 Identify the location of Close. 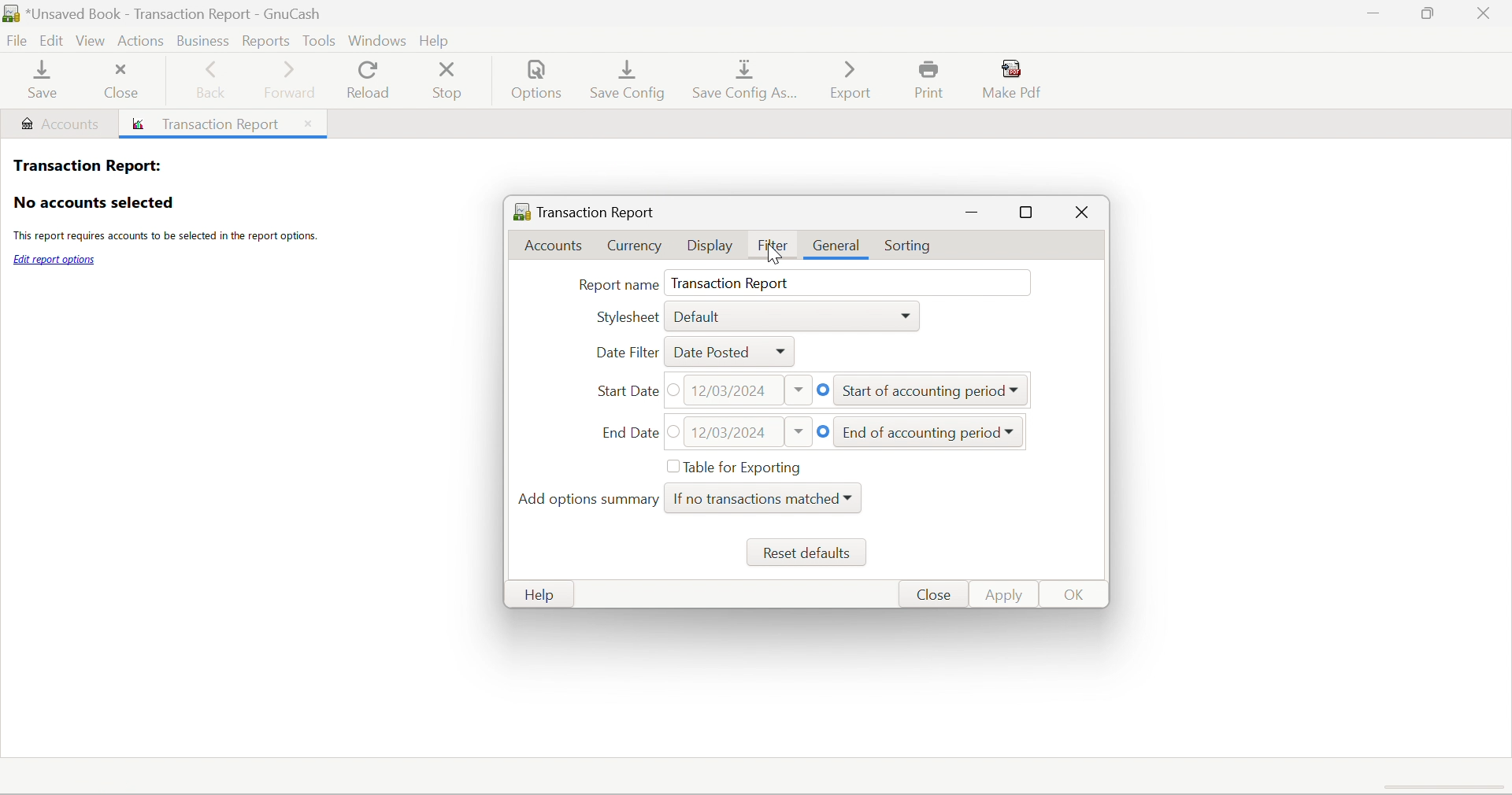
(121, 79).